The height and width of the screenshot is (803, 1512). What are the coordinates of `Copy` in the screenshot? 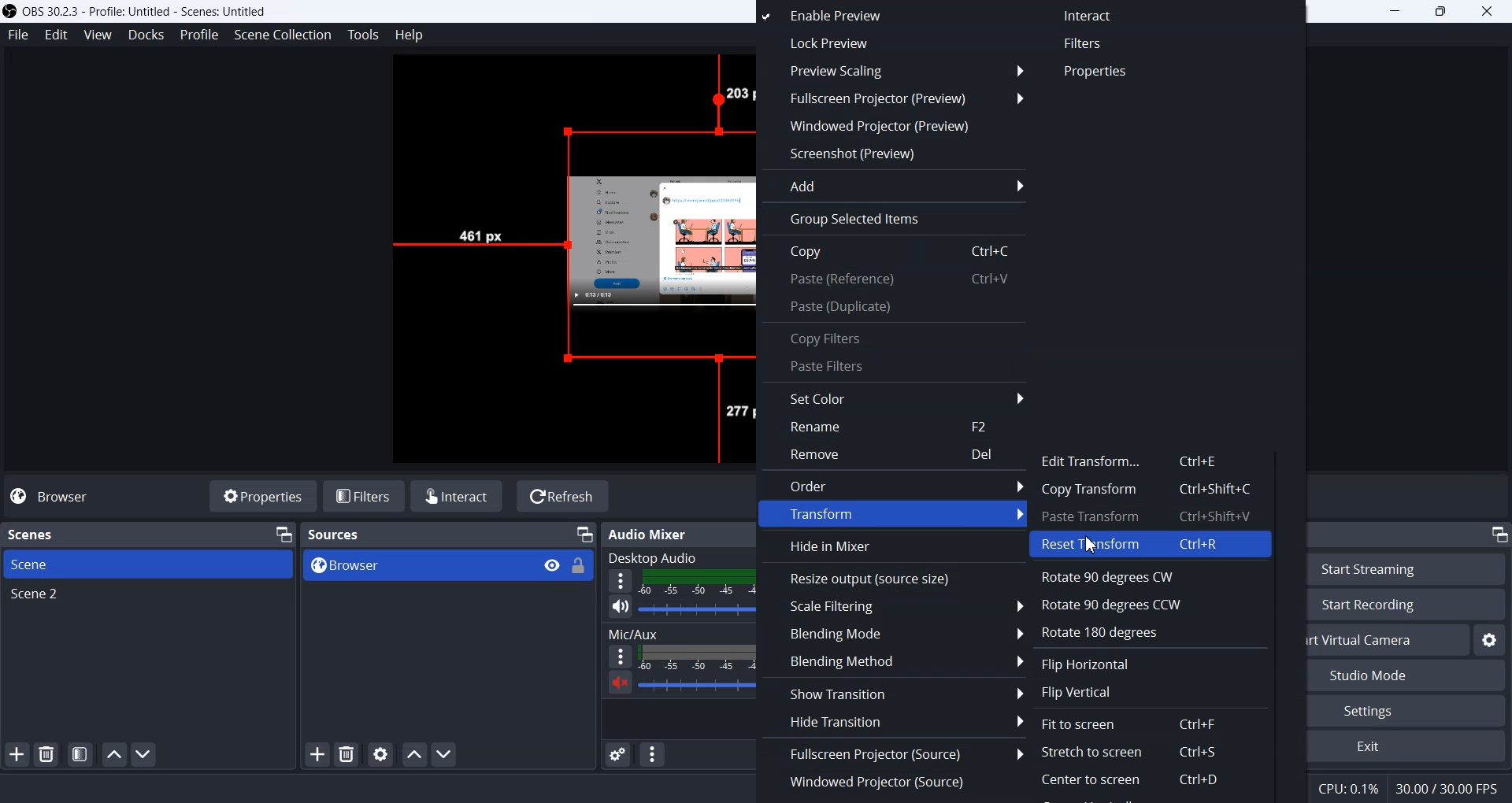 It's located at (892, 253).